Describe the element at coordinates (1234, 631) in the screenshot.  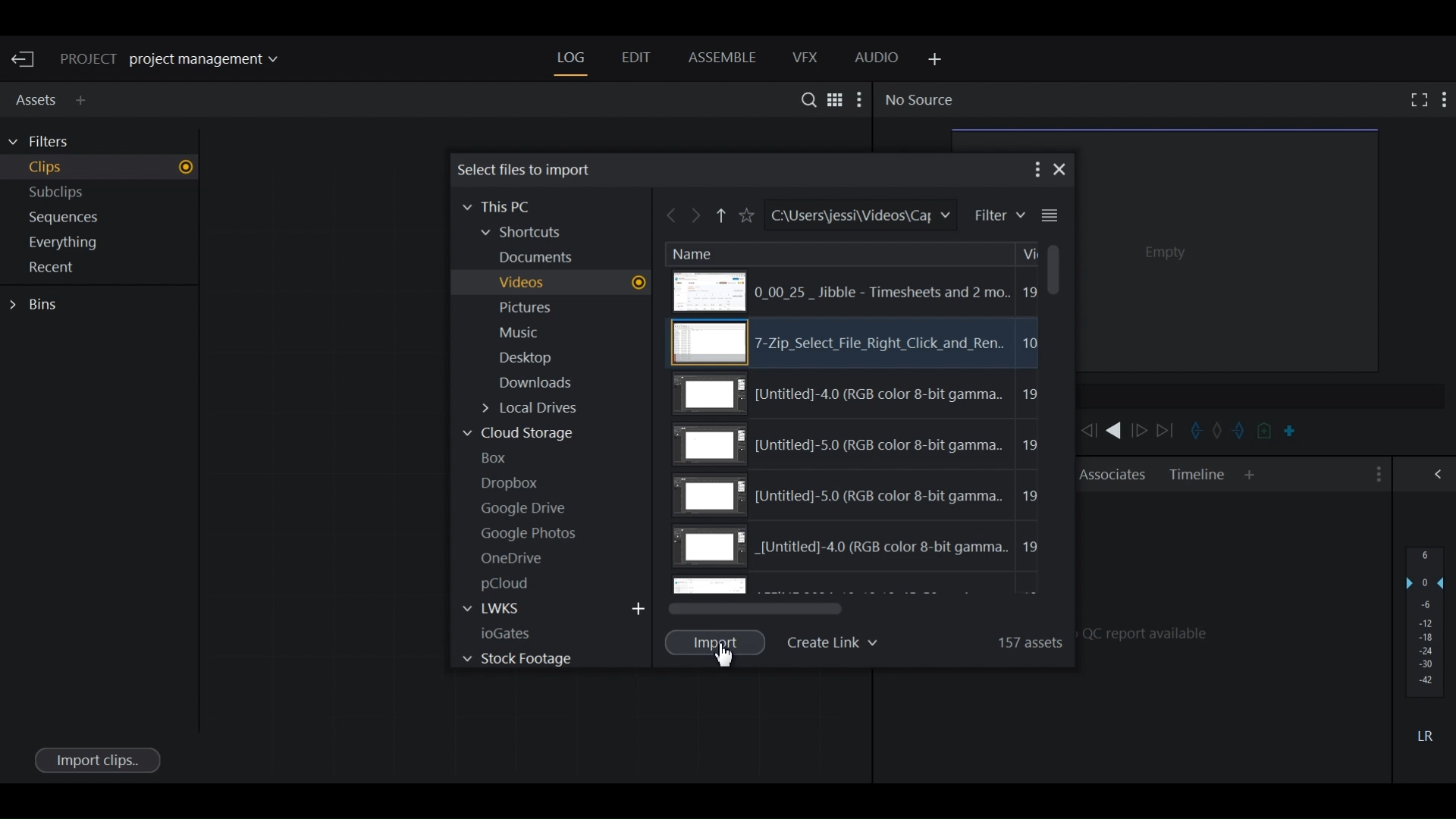
I see `QC Reports` at that location.